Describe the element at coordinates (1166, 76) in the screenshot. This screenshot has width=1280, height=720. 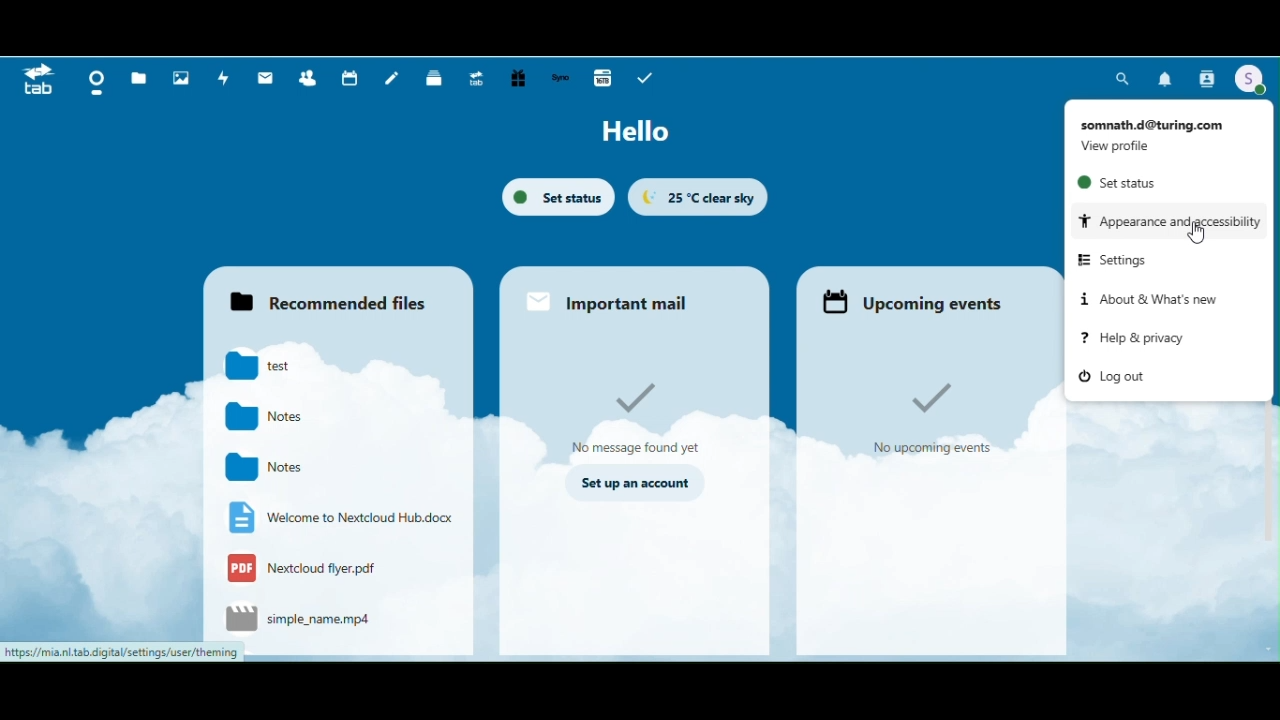
I see `Notifications` at that location.